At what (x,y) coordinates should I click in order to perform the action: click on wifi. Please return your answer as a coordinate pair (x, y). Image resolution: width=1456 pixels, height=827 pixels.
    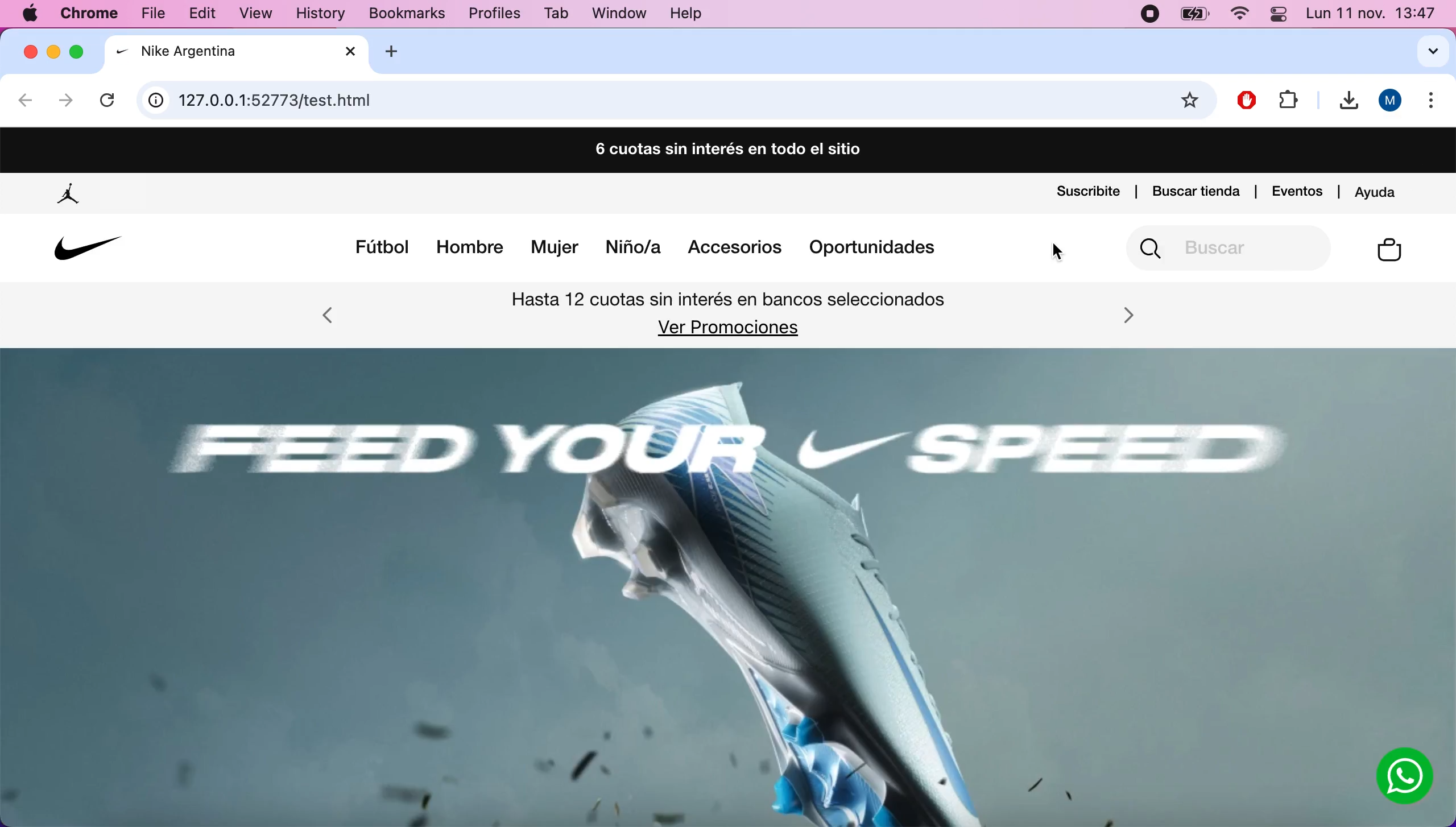
    Looking at the image, I should click on (1239, 16).